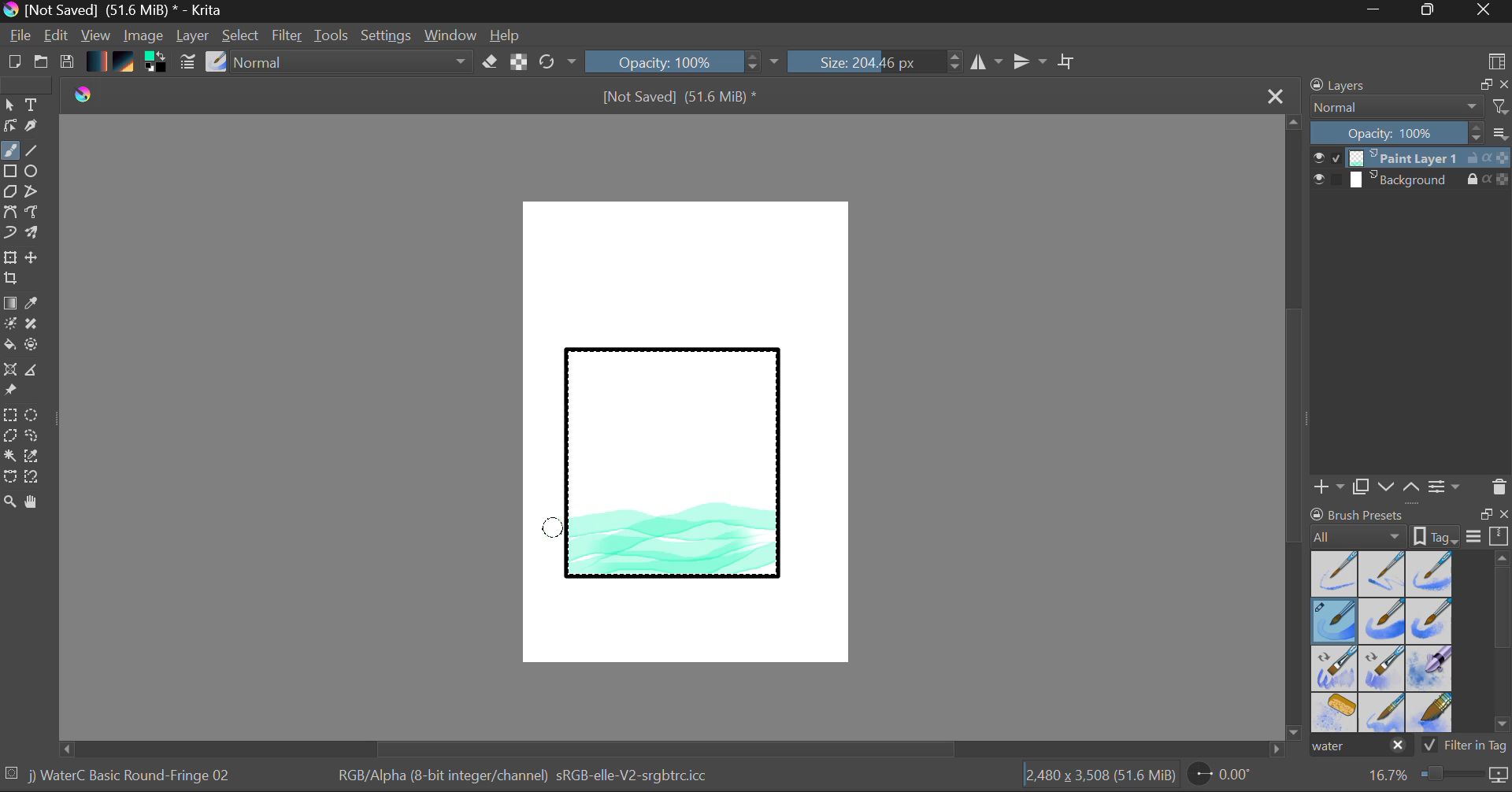 This screenshot has width=1512, height=792. What do you see at coordinates (1069, 61) in the screenshot?
I see `Crop` at bounding box center [1069, 61].